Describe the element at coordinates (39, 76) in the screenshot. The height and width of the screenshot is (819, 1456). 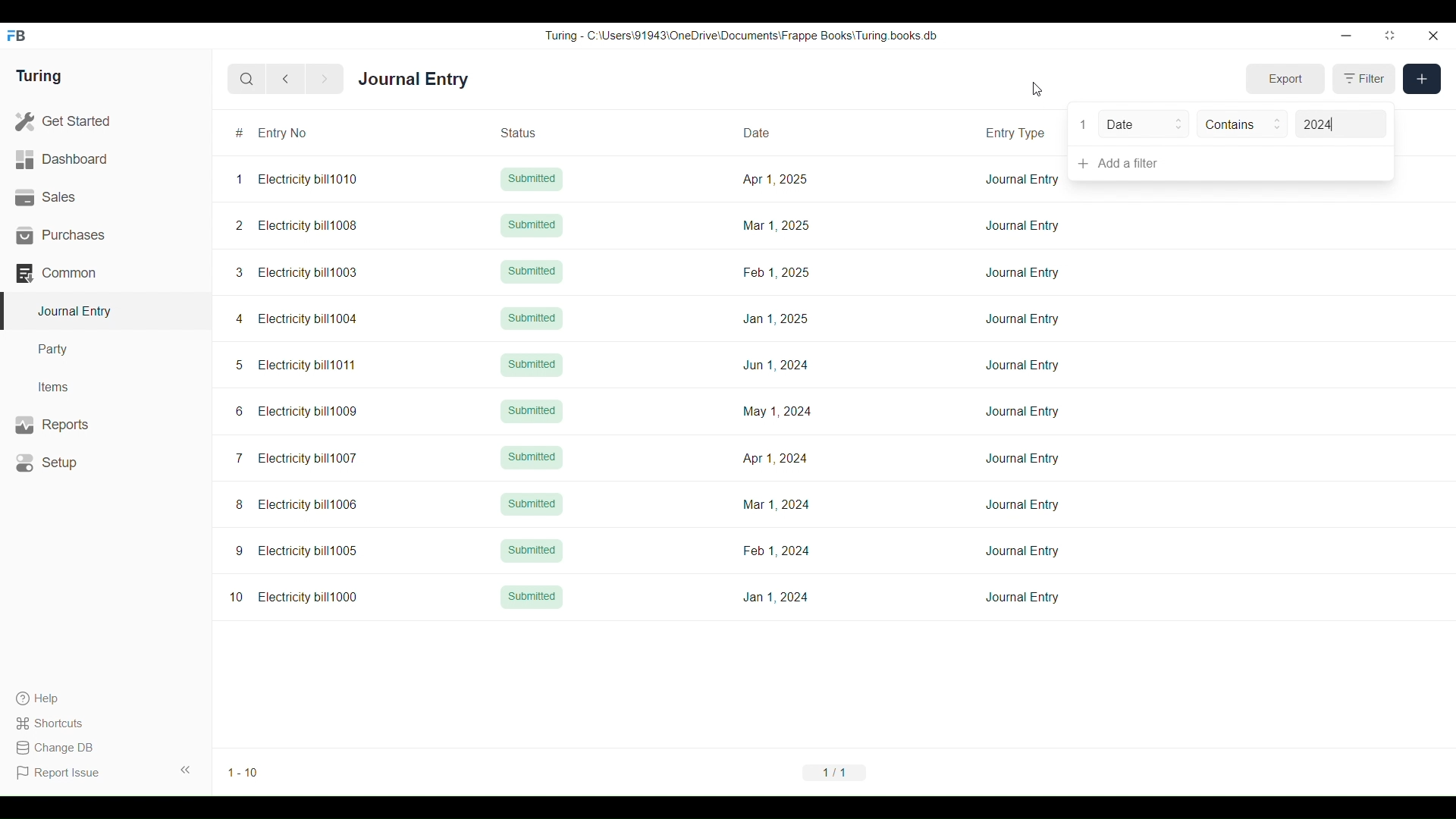
I see `Turing` at that location.